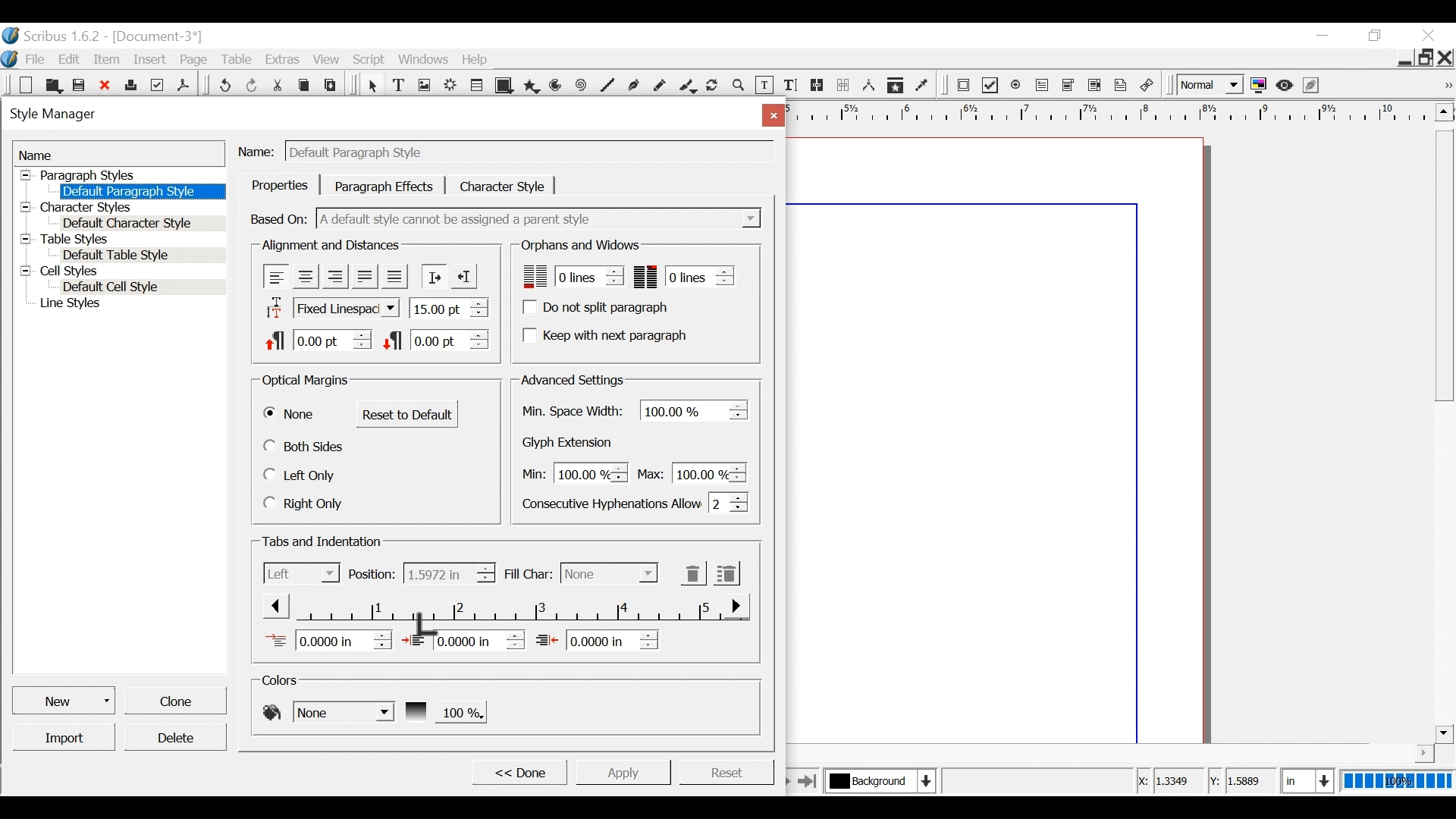  I want to click on Edit in Preview mode, so click(1313, 85).